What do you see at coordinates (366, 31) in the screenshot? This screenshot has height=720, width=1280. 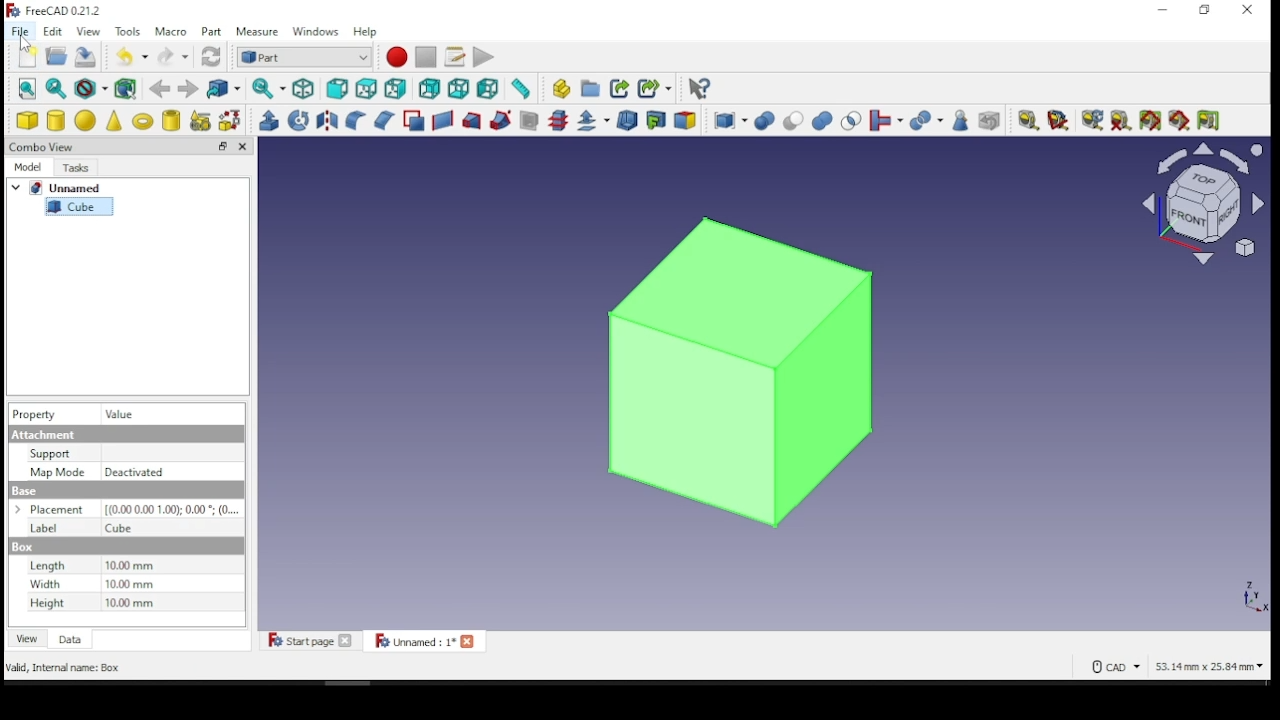 I see `help` at bounding box center [366, 31].